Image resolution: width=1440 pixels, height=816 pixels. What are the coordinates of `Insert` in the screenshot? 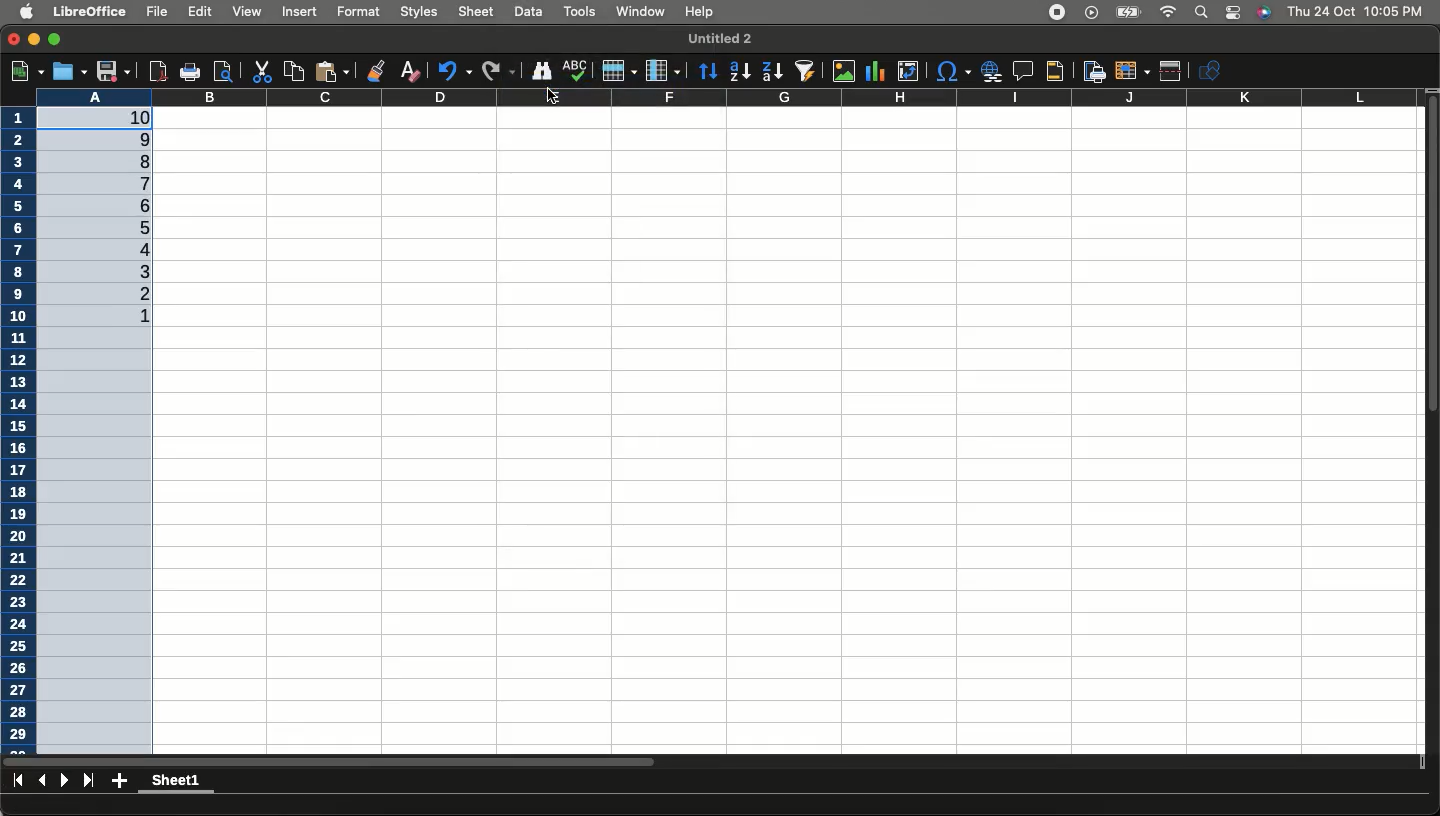 It's located at (302, 14).